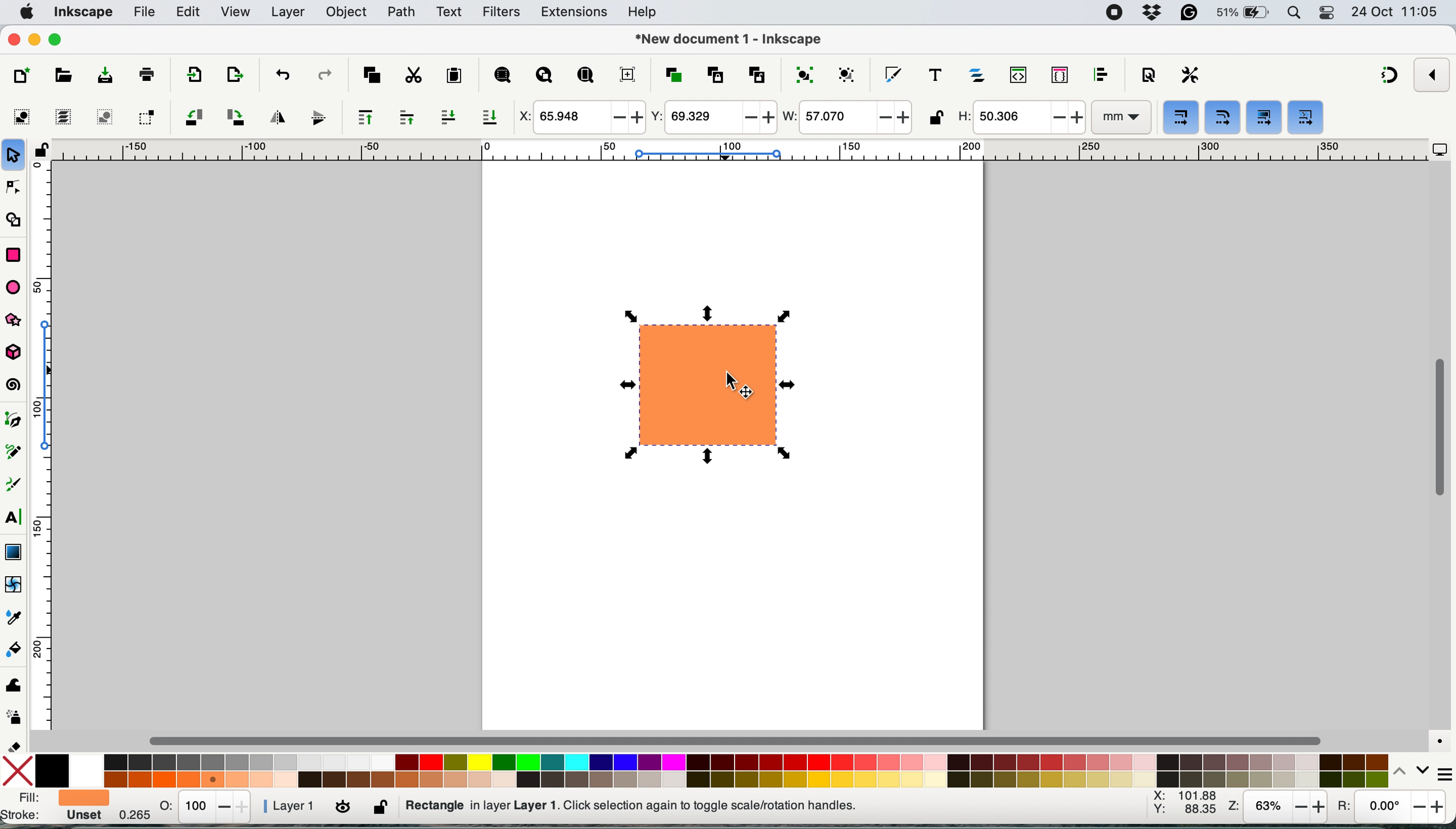 This screenshot has width=1456, height=829. I want to click on paste, so click(453, 76).